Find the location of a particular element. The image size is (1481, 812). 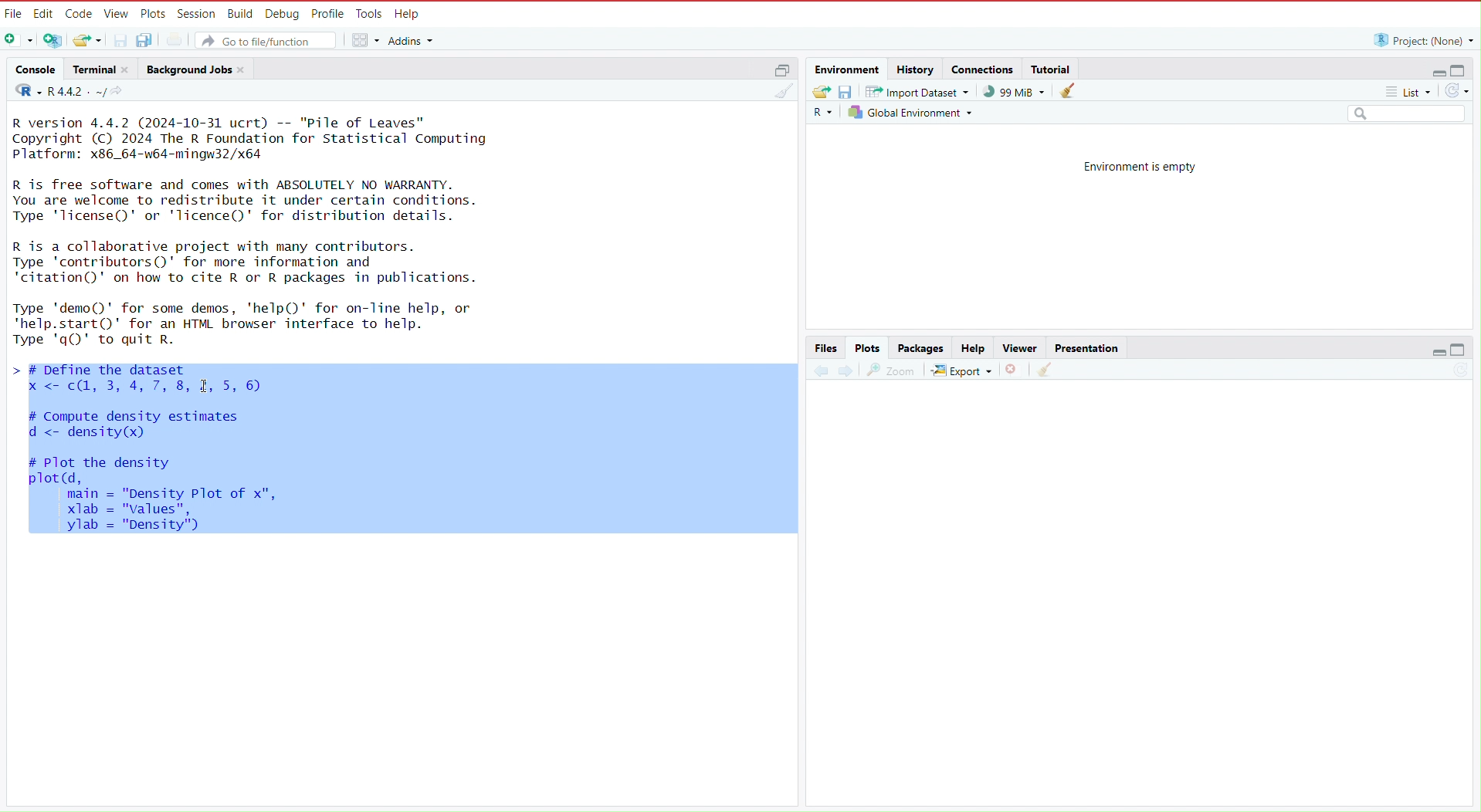

R 4.4.2 . ~/ is located at coordinates (77, 92).